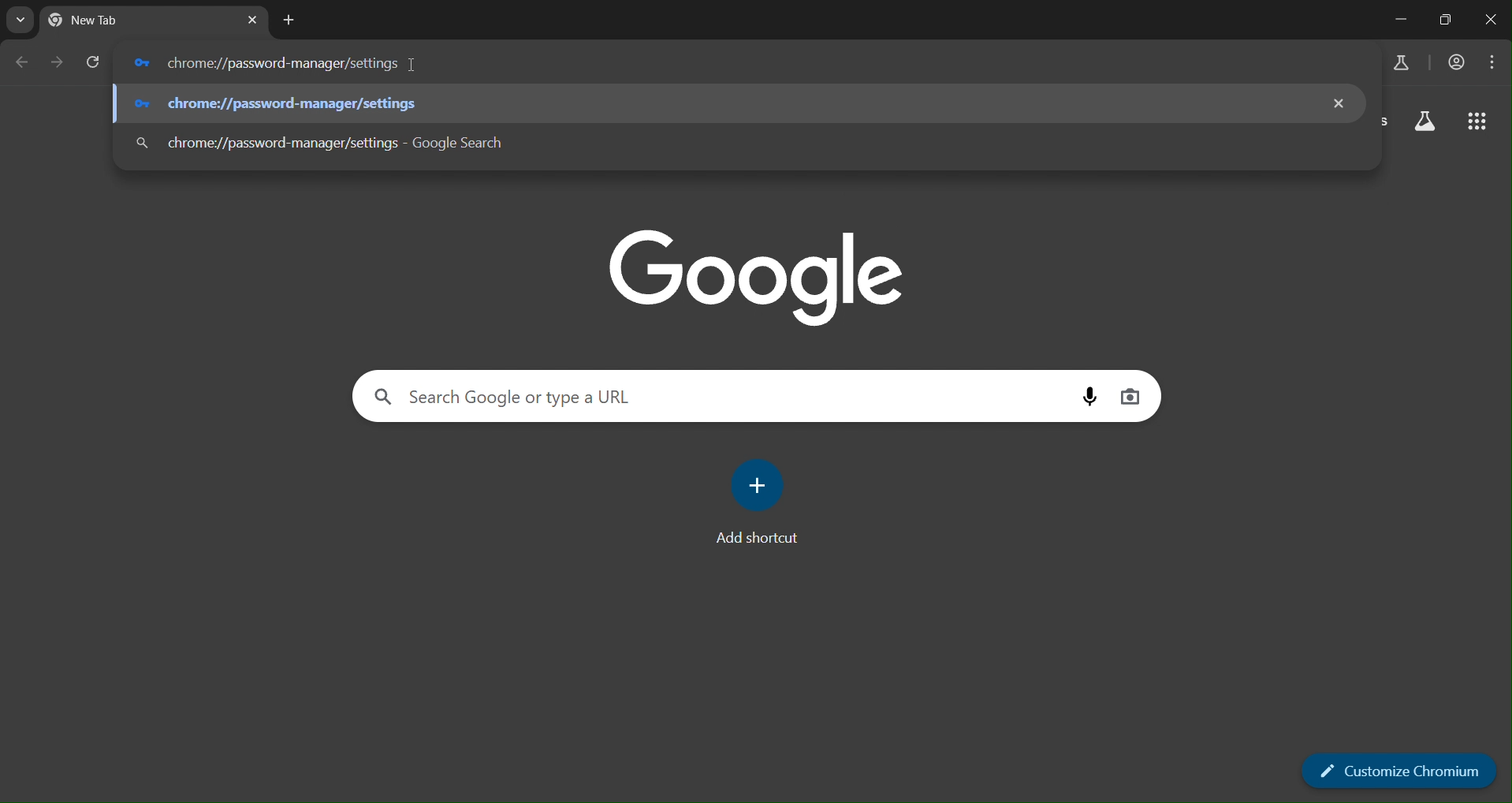  What do you see at coordinates (1458, 62) in the screenshot?
I see `accounts` at bounding box center [1458, 62].